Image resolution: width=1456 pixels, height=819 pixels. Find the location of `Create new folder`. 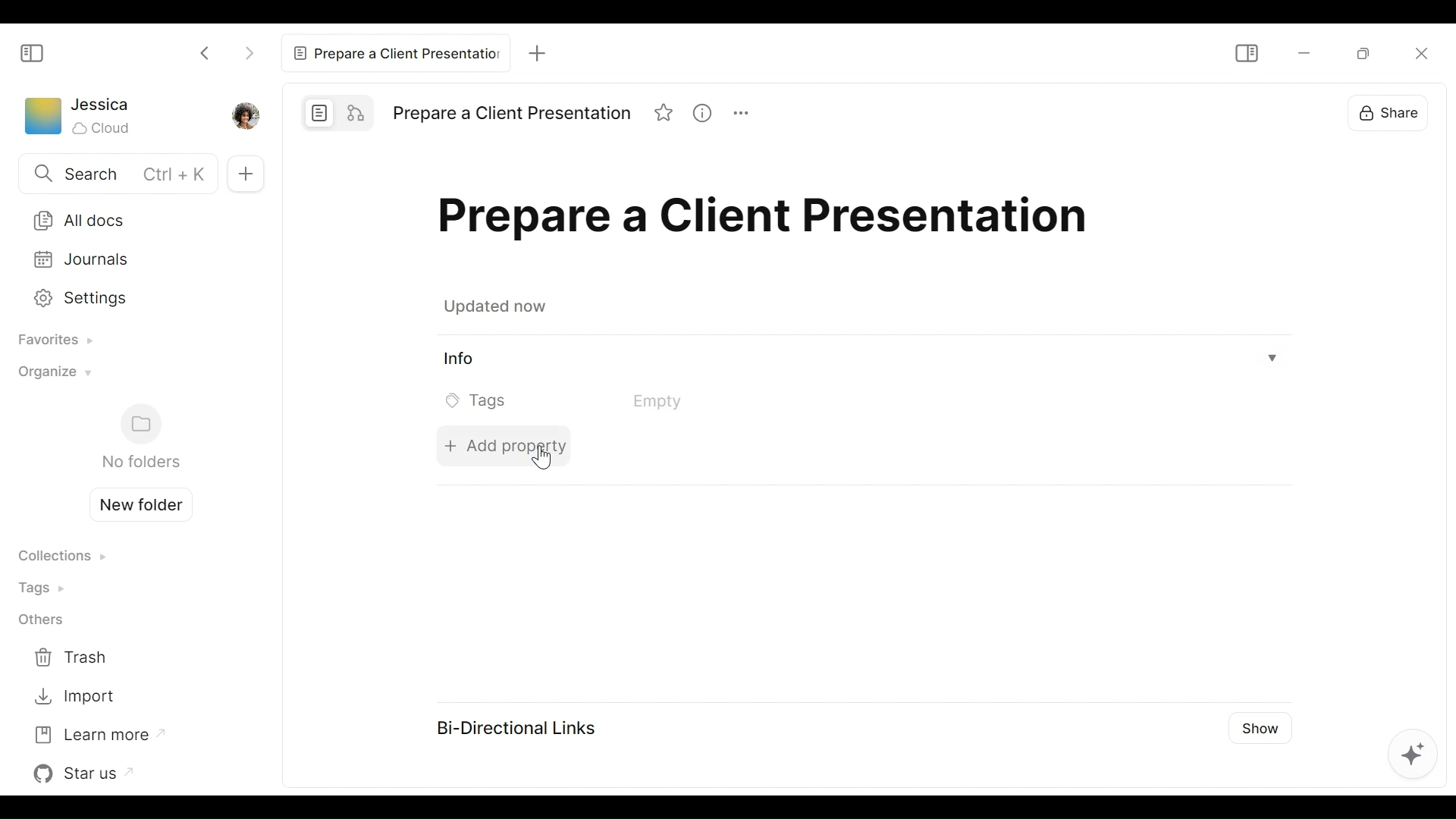

Create new folder is located at coordinates (135, 503).